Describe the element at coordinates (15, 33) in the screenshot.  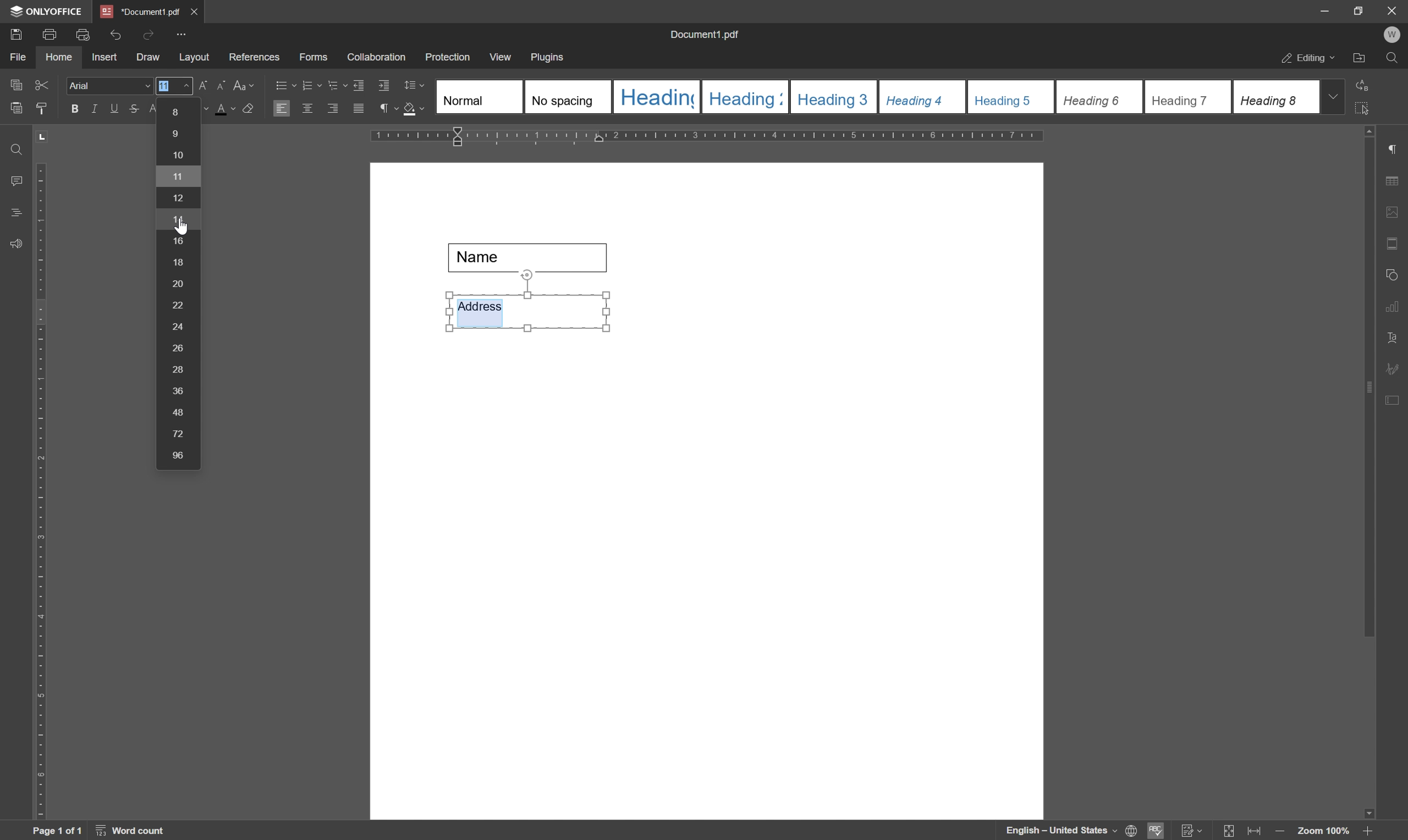
I see `save` at that location.